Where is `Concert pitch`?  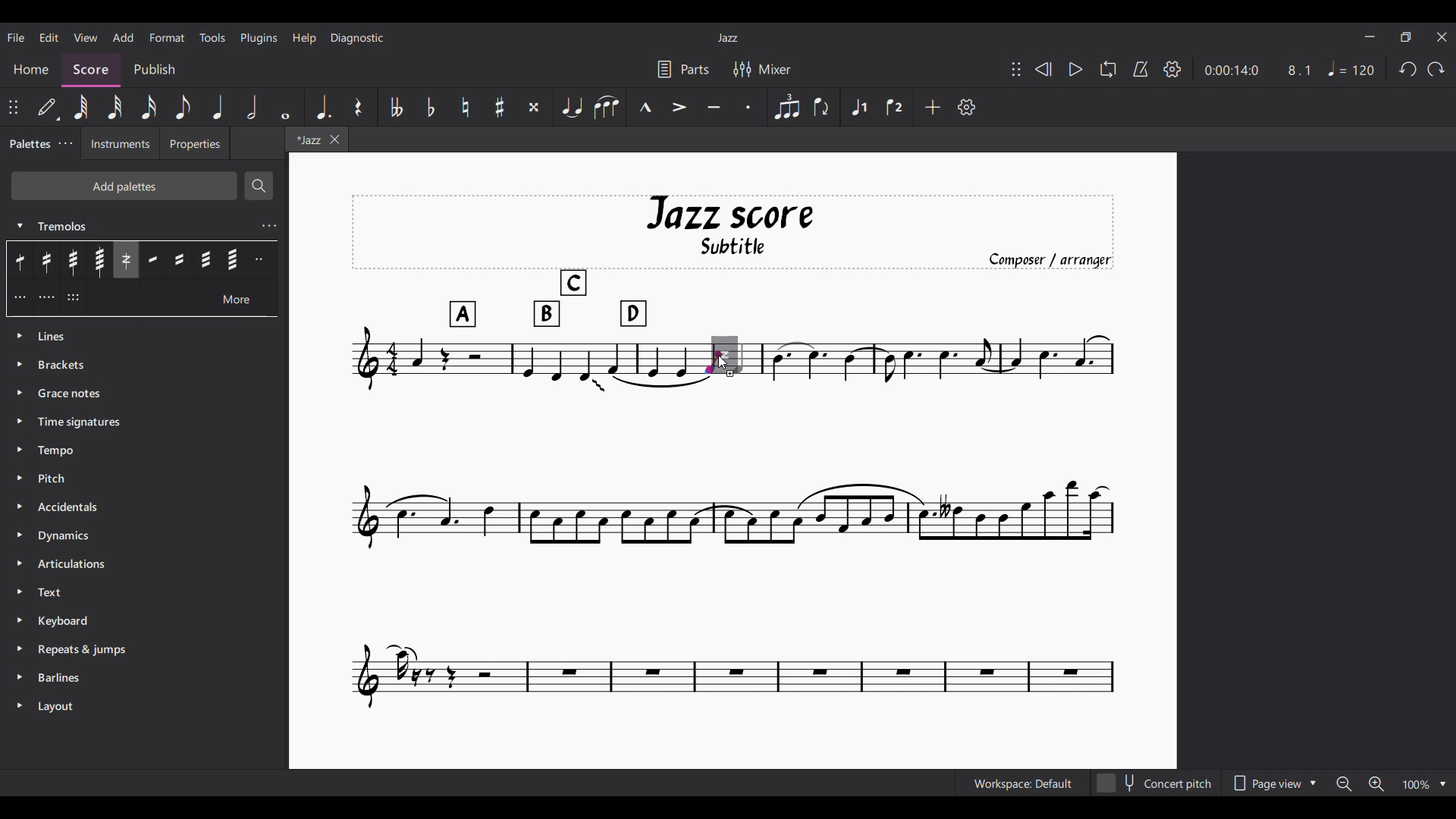
Concert pitch is located at coordinates (1154, 783).